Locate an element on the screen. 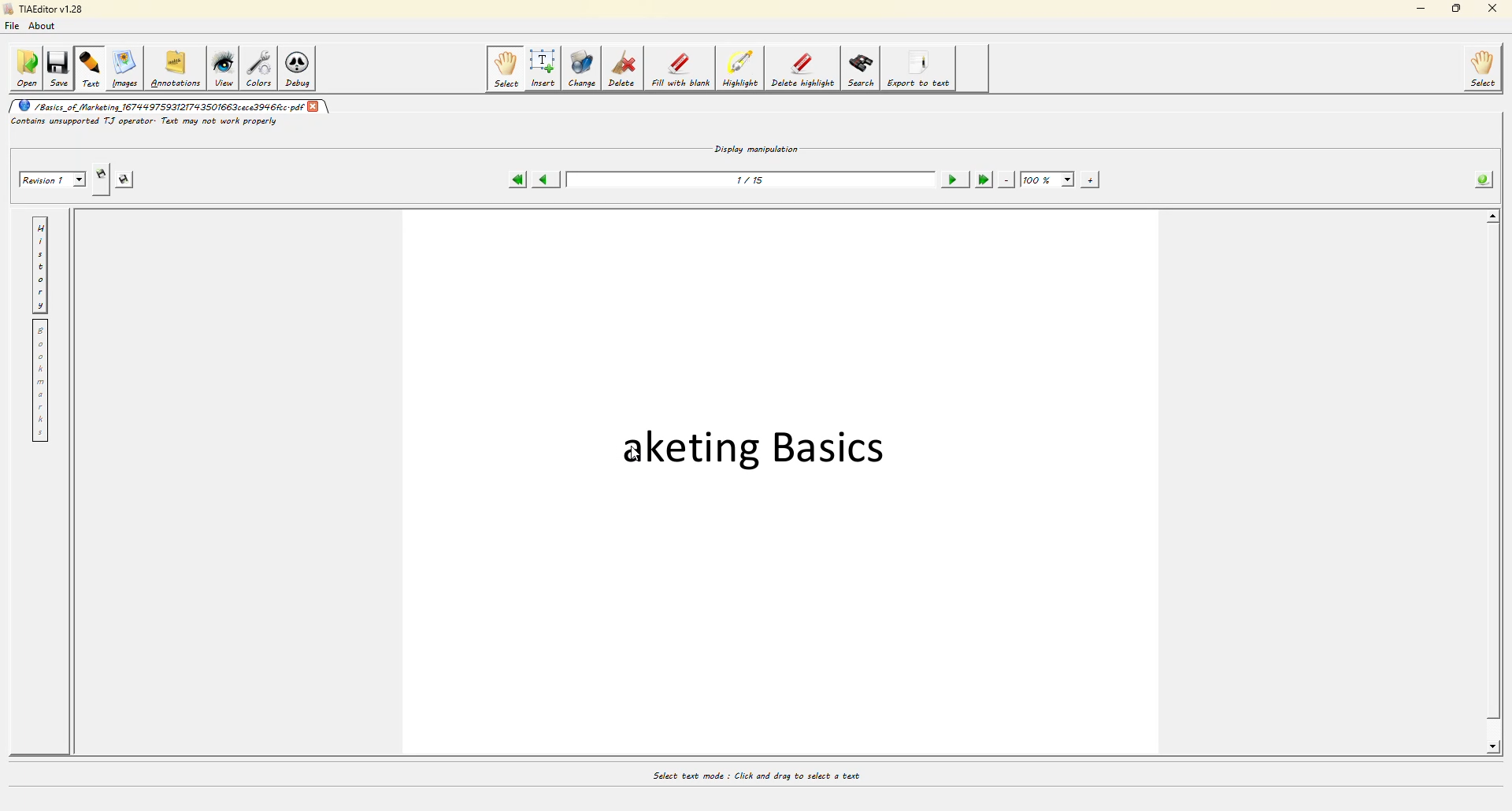  save is located at coordinates (57, 69).